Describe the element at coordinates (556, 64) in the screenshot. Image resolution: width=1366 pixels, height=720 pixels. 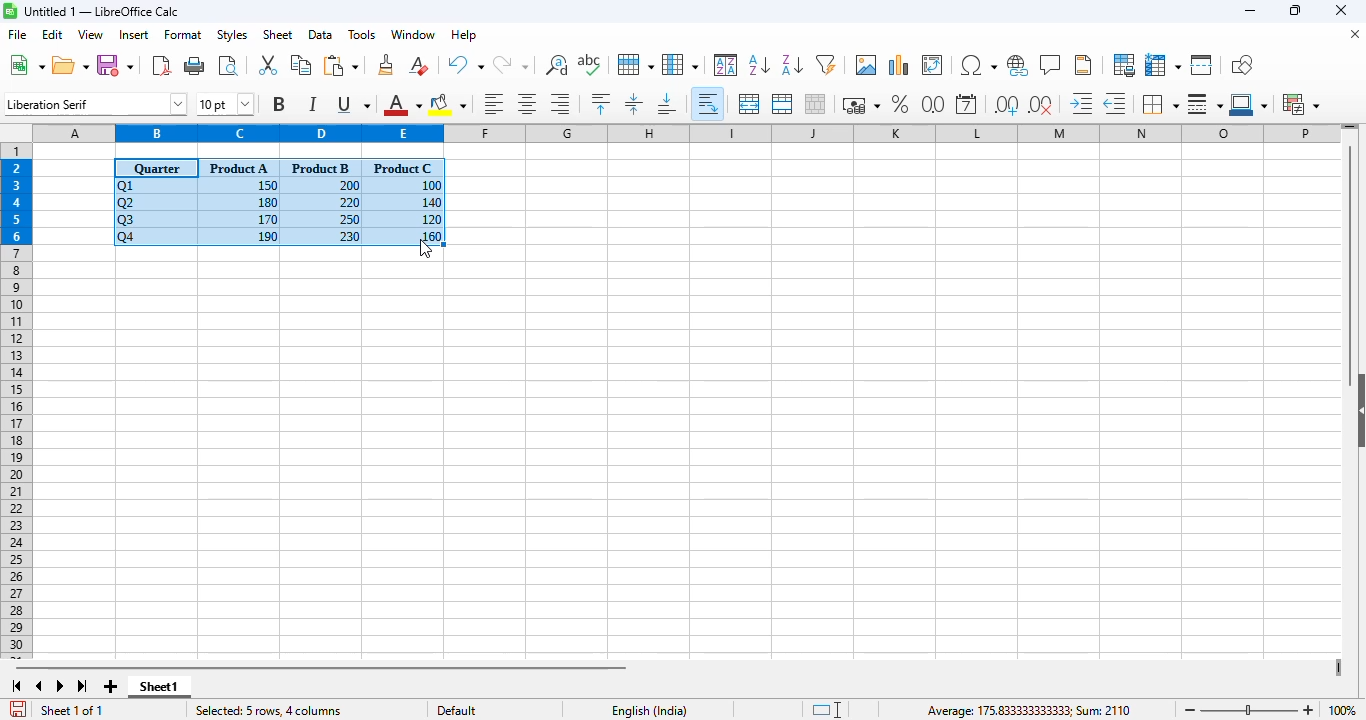
I see `find and replace` at that location.